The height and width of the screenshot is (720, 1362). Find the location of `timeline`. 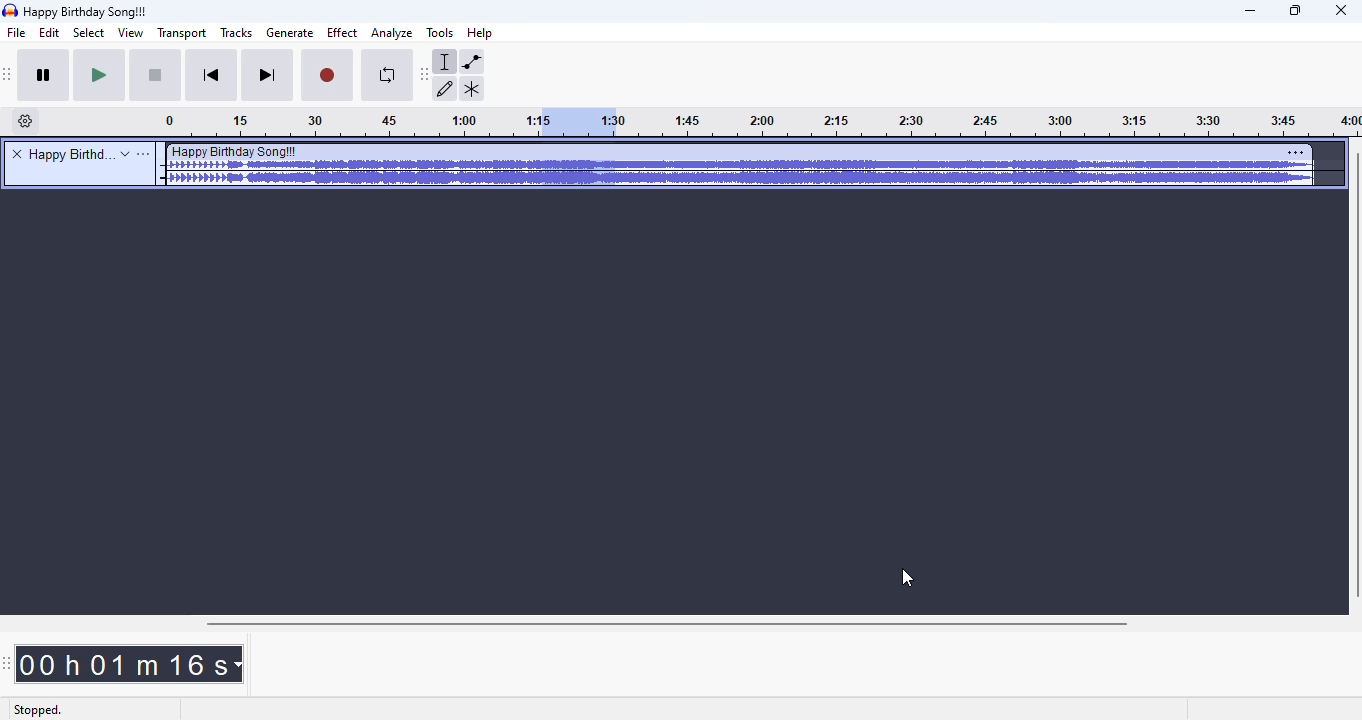

timeline is located at coordinates (989, 124).